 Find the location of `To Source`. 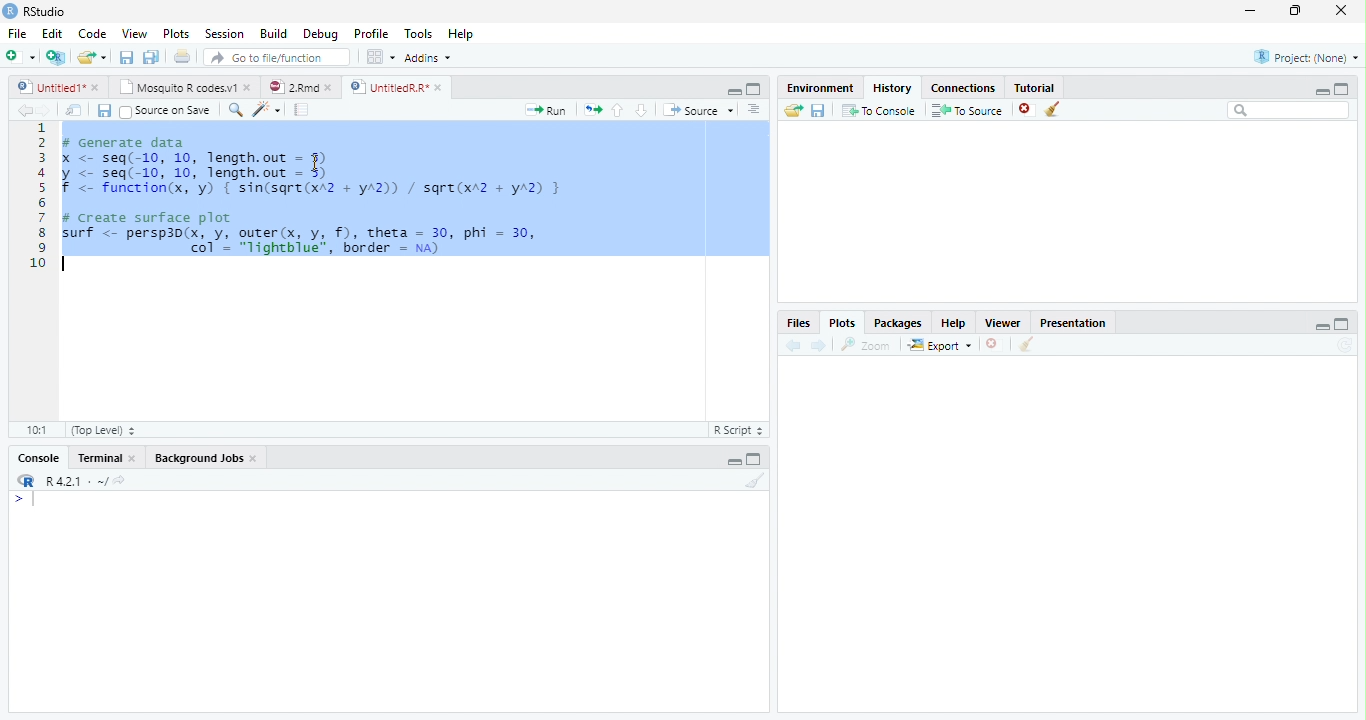

To Source is located at coordinates (966, 110).